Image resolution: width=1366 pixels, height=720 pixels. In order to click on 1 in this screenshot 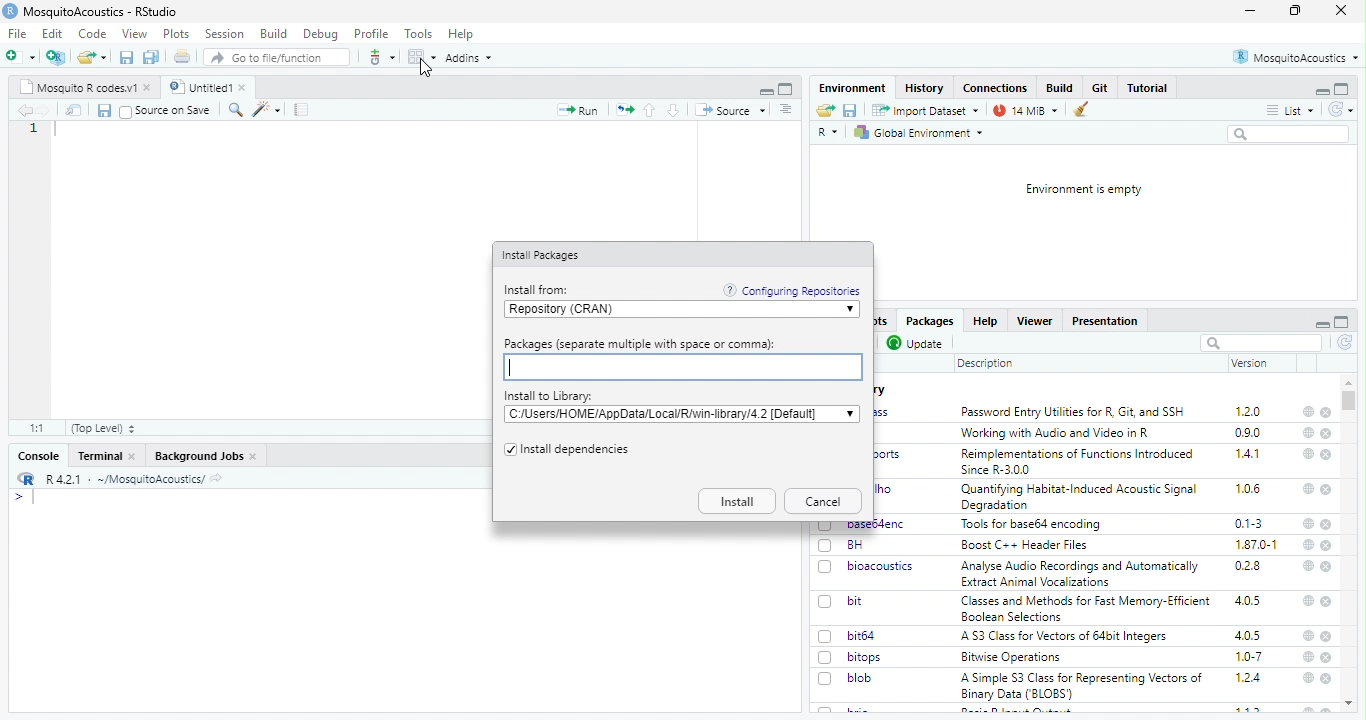, I will do `click(34, 128)`.